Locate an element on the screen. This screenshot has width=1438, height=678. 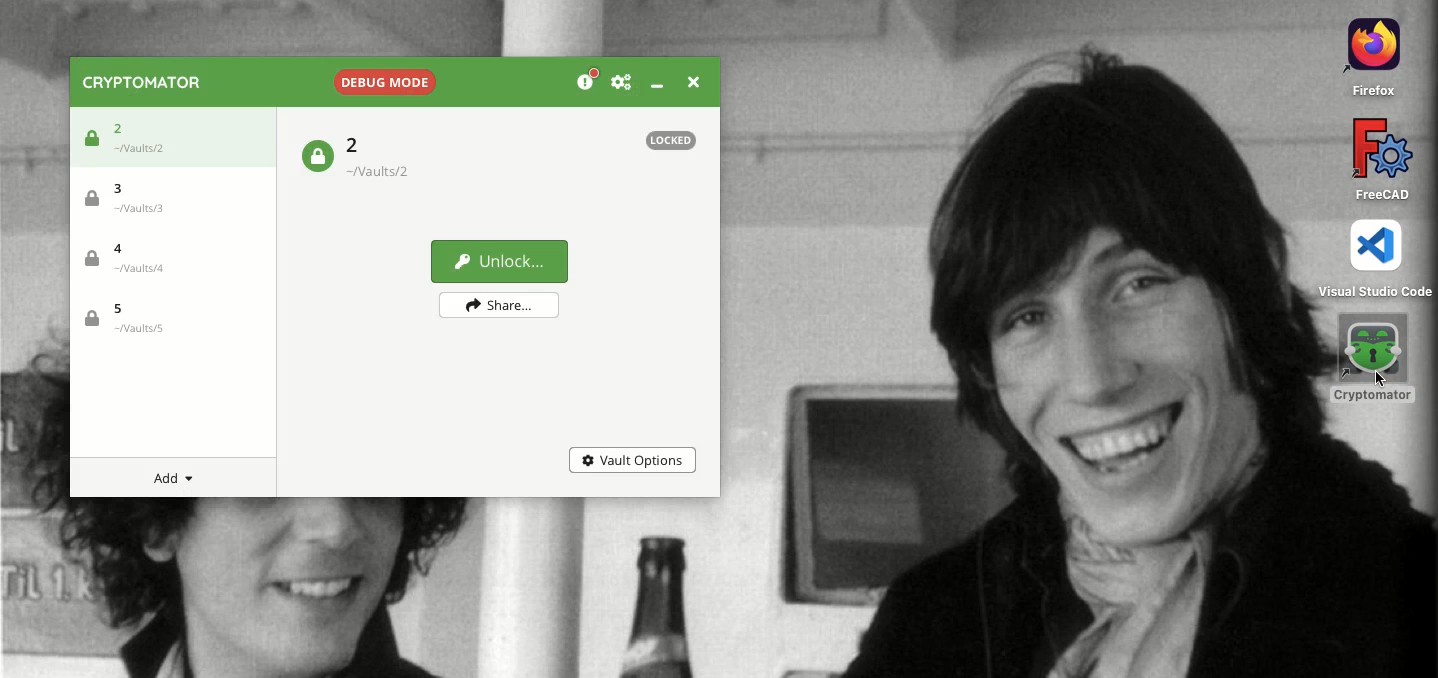
Close is located at coordinates (697, 82).